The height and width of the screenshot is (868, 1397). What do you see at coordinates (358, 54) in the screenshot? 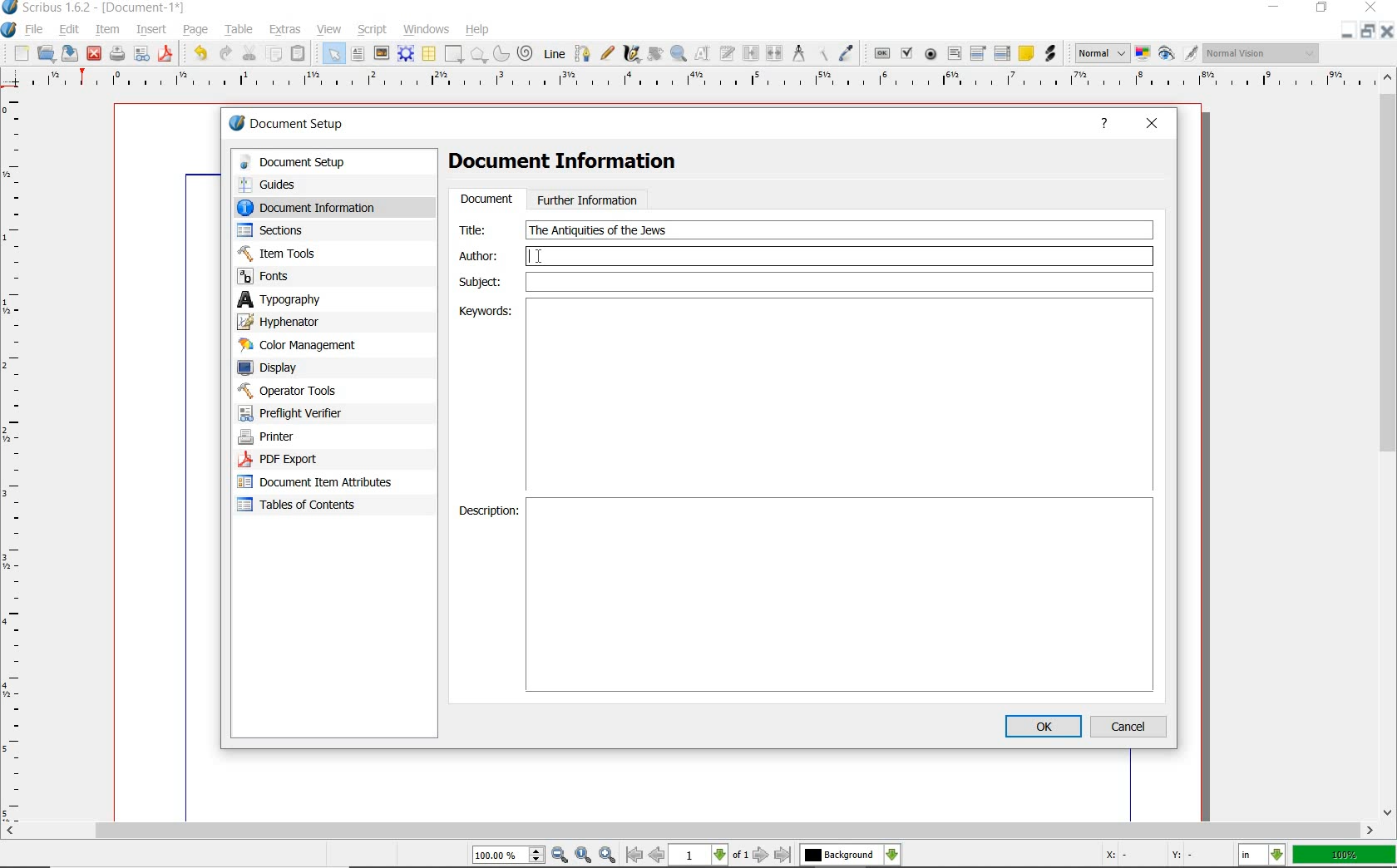
I see `text frame` at bounding box center [358, 54].